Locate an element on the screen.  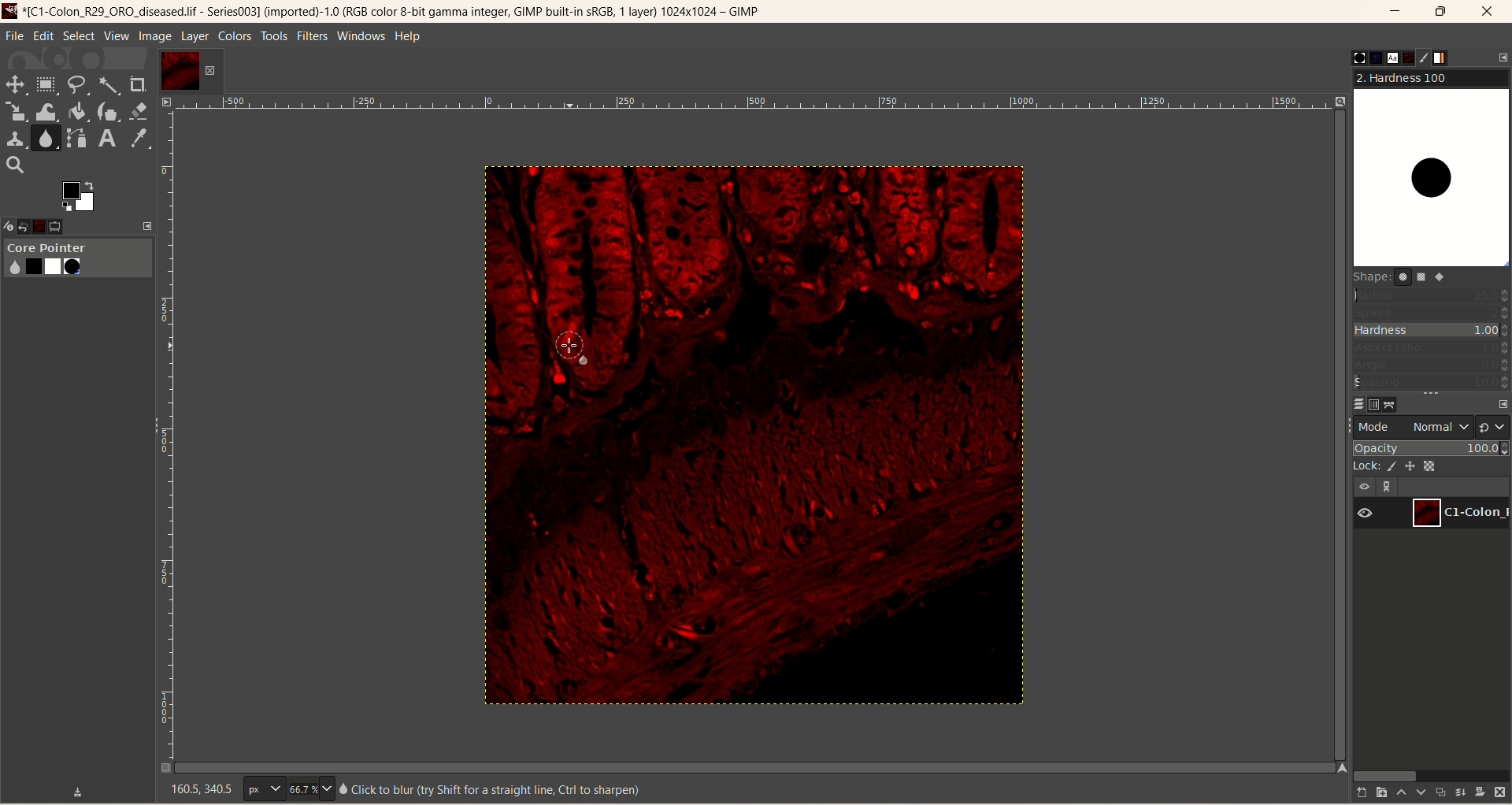
create a new layer with last used values is located at coordinates (1354, 793).